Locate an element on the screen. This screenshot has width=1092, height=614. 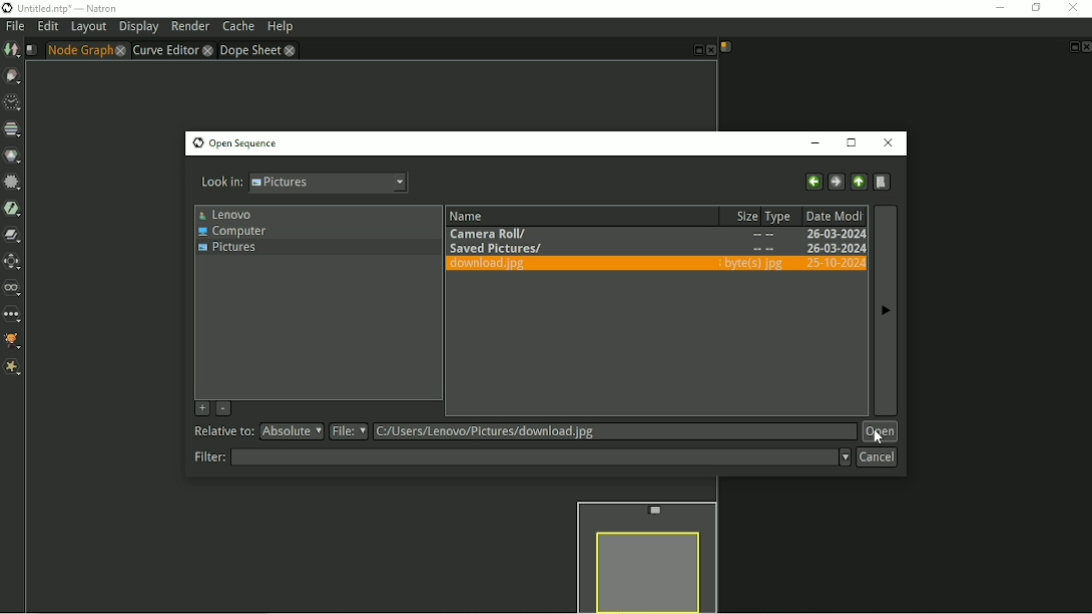
Layout is located at coordinates (88, 28).